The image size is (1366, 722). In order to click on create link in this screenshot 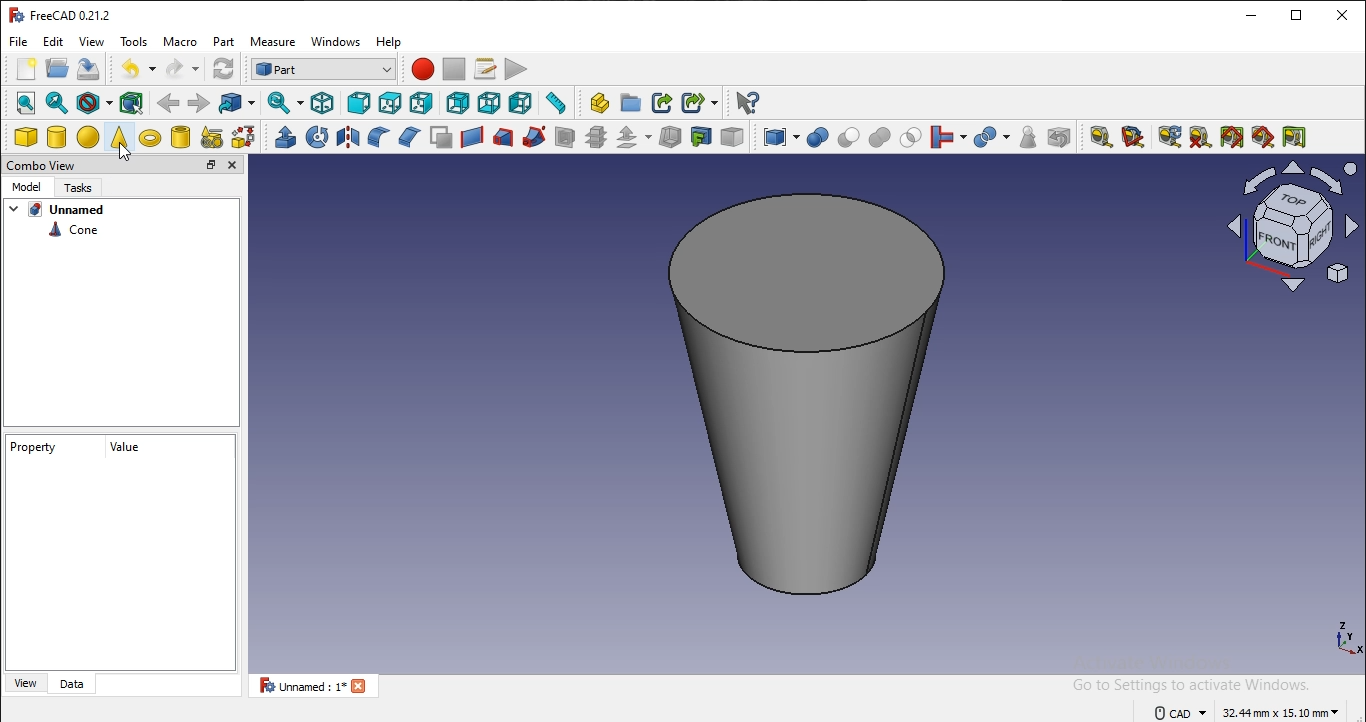, I will do `click(661, 102)`.